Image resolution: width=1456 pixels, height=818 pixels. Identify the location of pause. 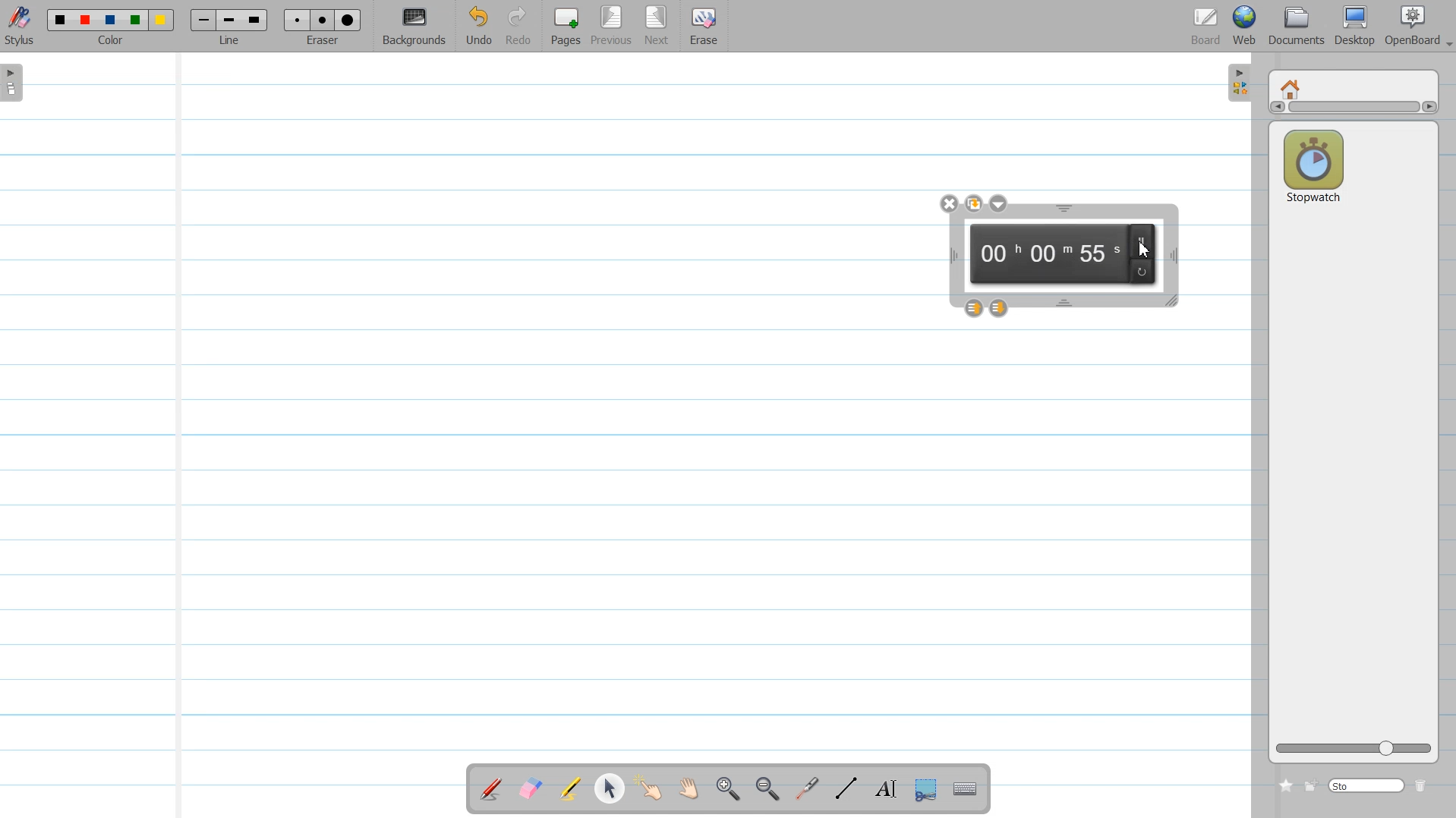
(1146, 240).